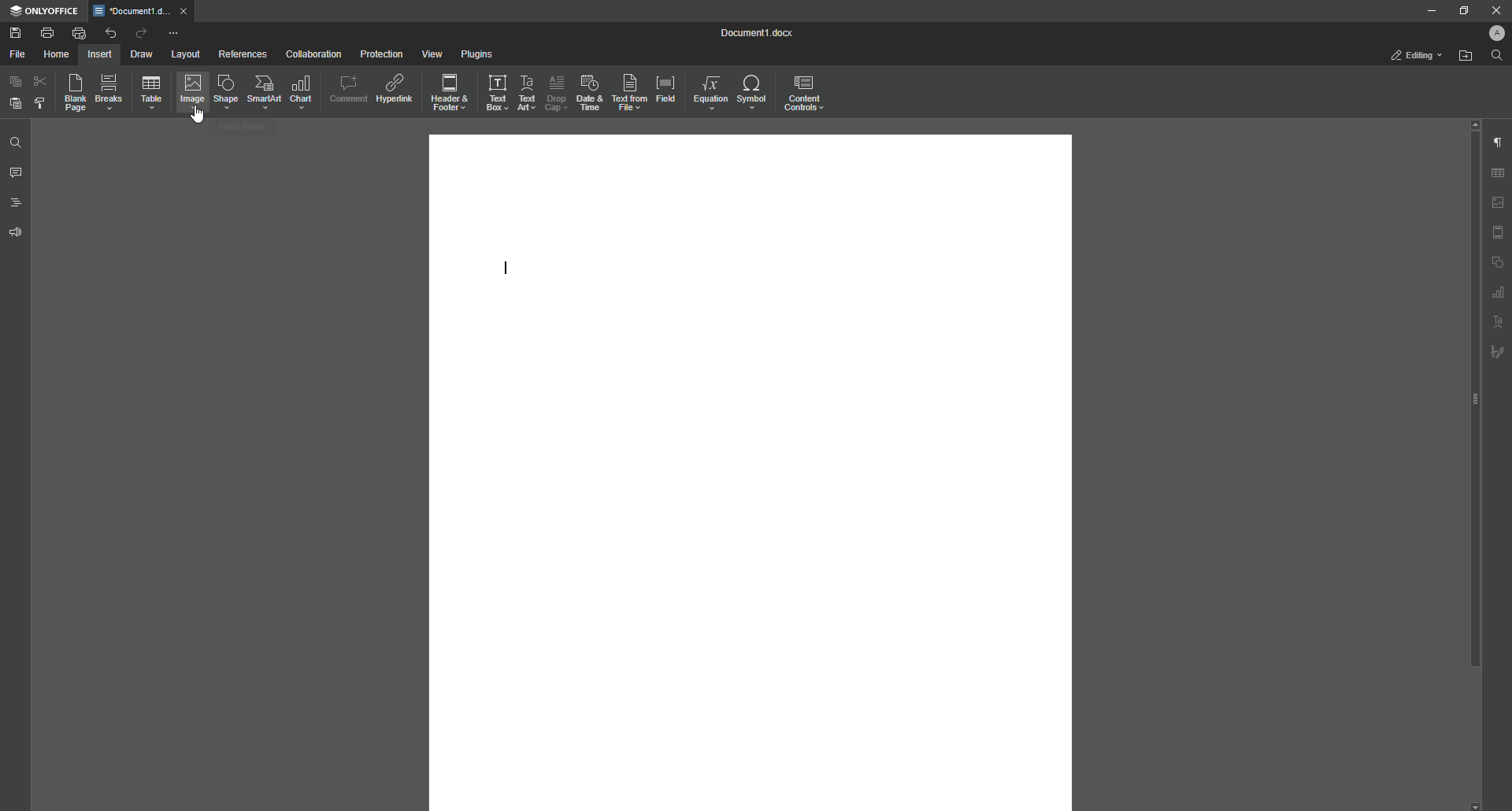  What do you see at coordinates (13, 81) in the screenshot?
I see `Copy` at bounding box center [13, 81].